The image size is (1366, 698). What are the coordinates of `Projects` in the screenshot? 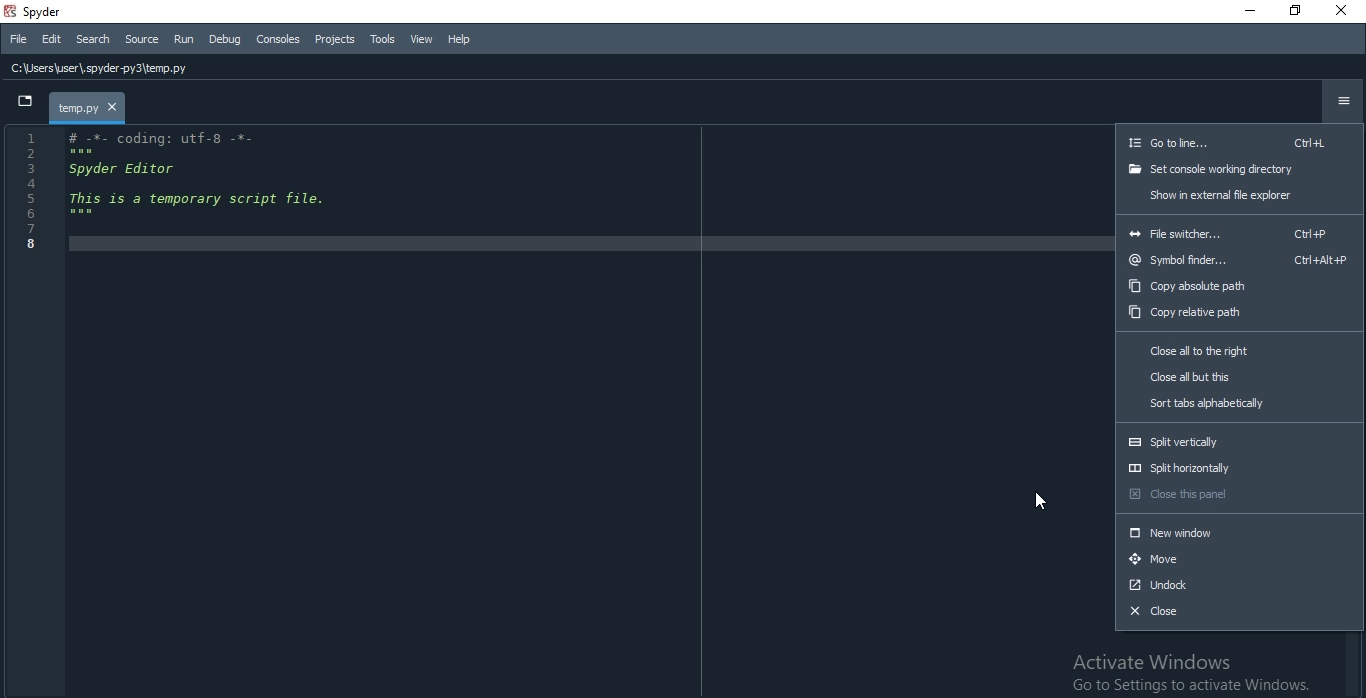 It's located at (336, 40).